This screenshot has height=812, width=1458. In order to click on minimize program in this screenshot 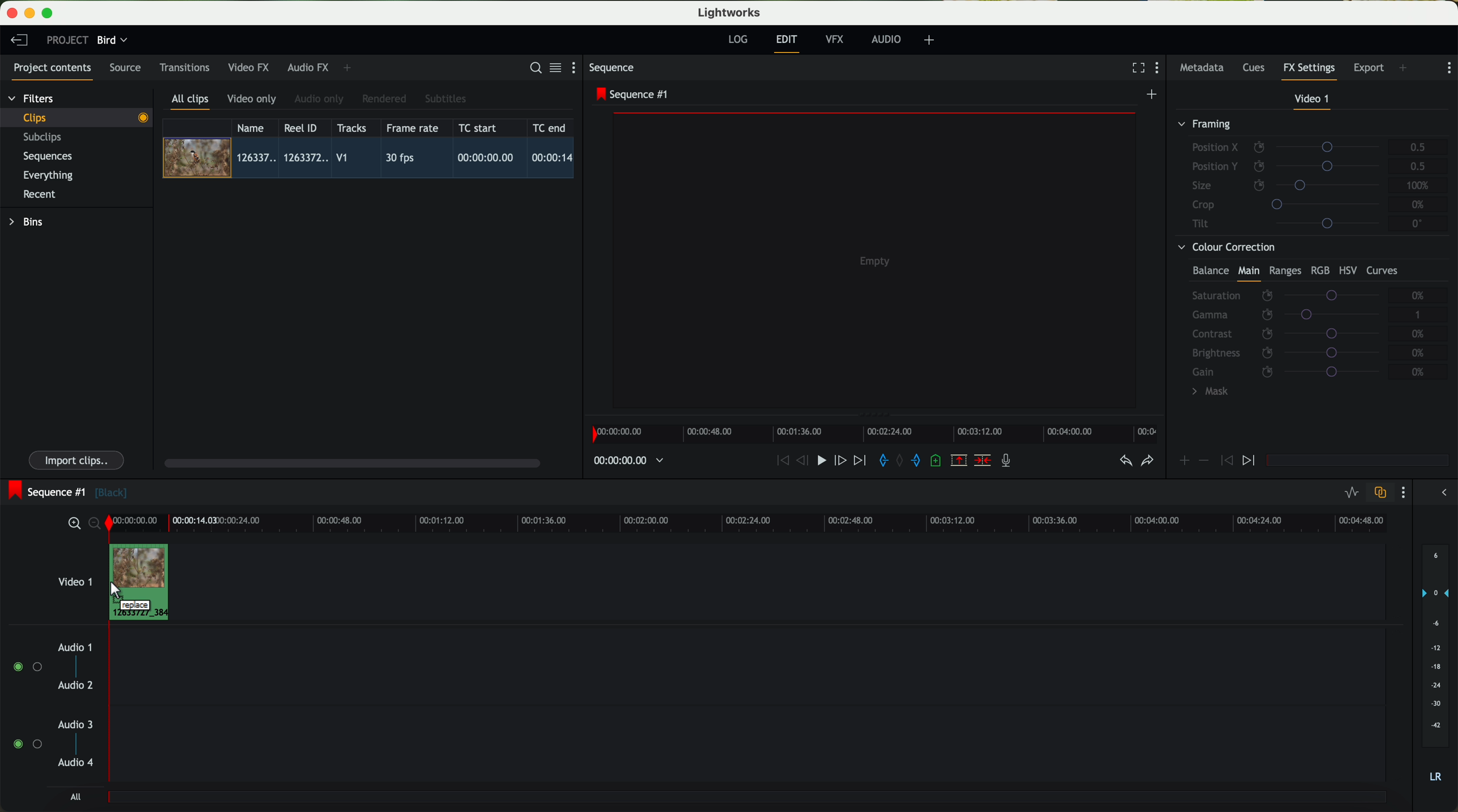, I will do `click(32, 14)`.